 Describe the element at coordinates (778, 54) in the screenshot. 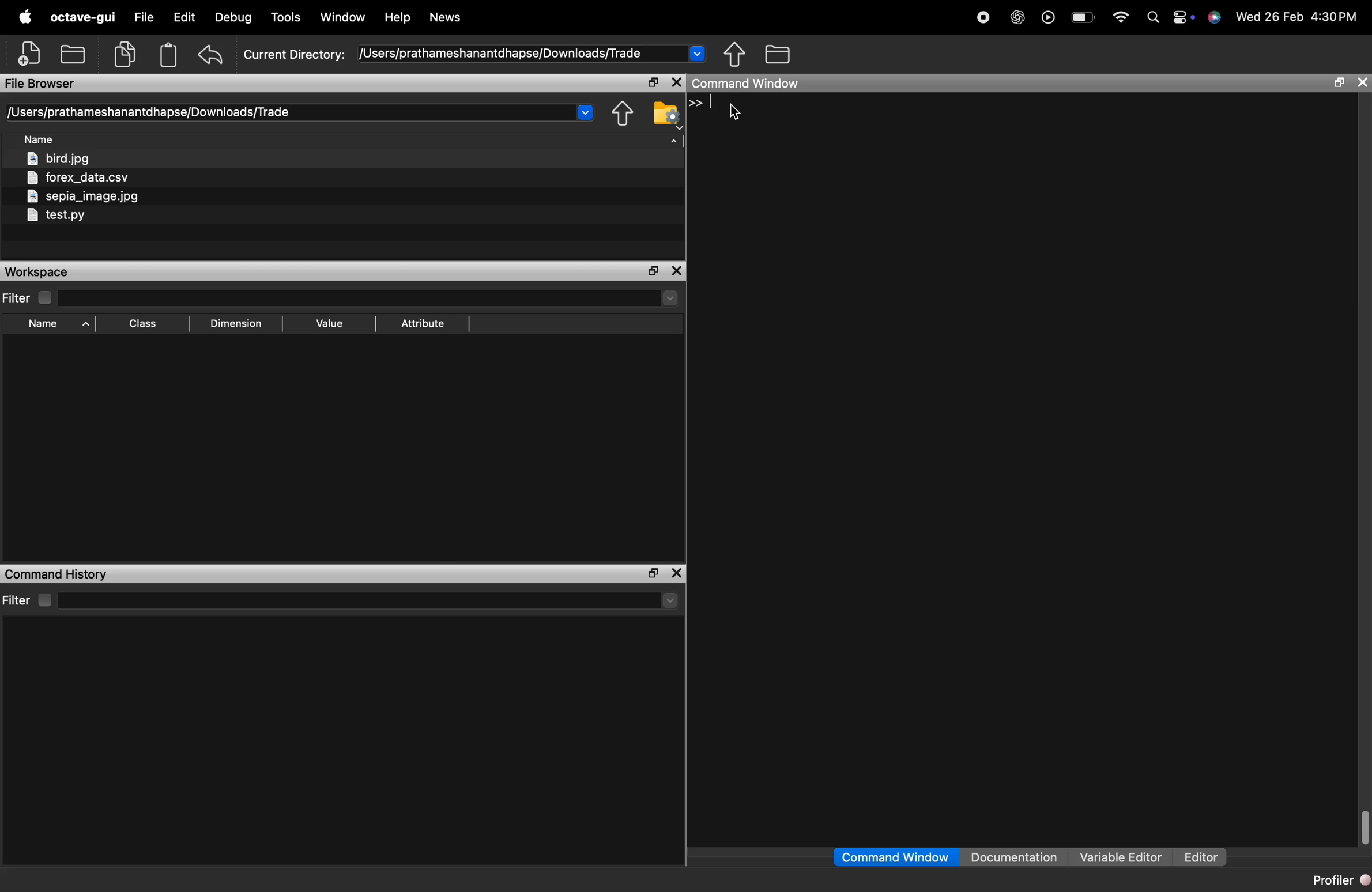

I see `folder` at that location.